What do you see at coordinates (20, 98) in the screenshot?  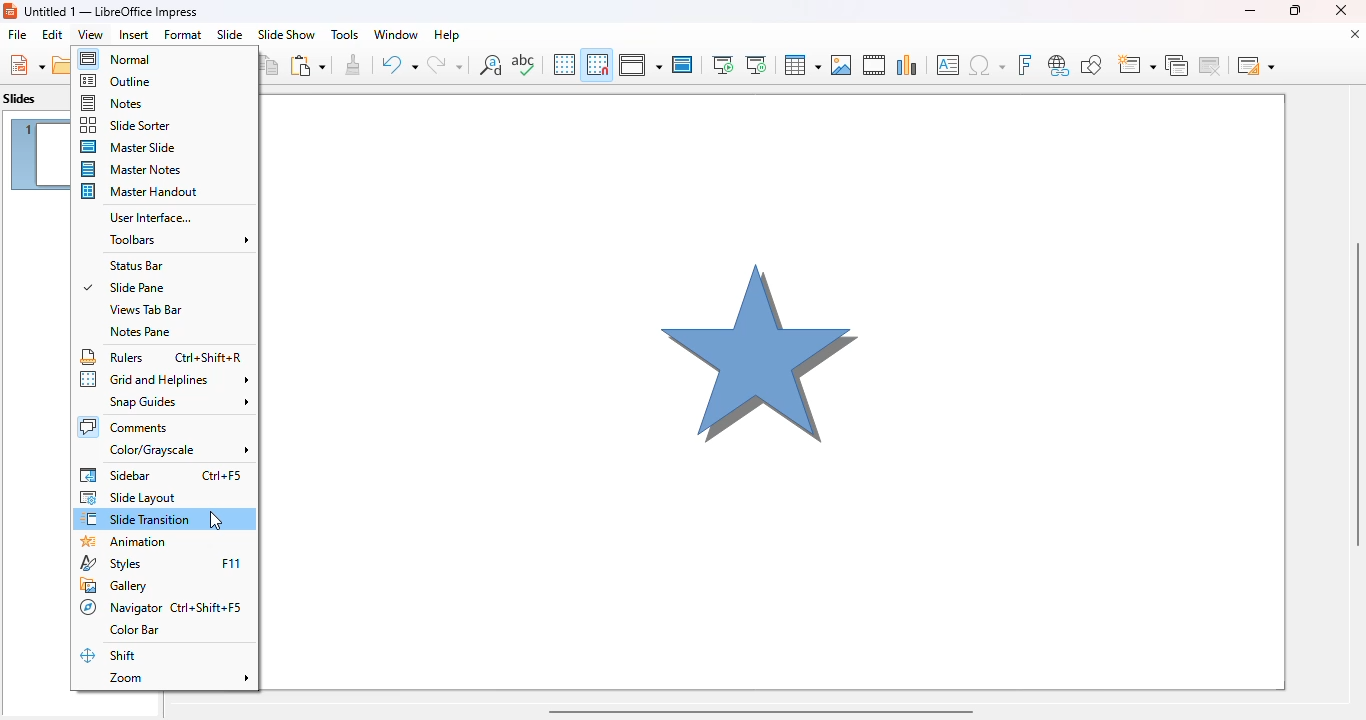 I see `slides` at bounding box center [20, 98].